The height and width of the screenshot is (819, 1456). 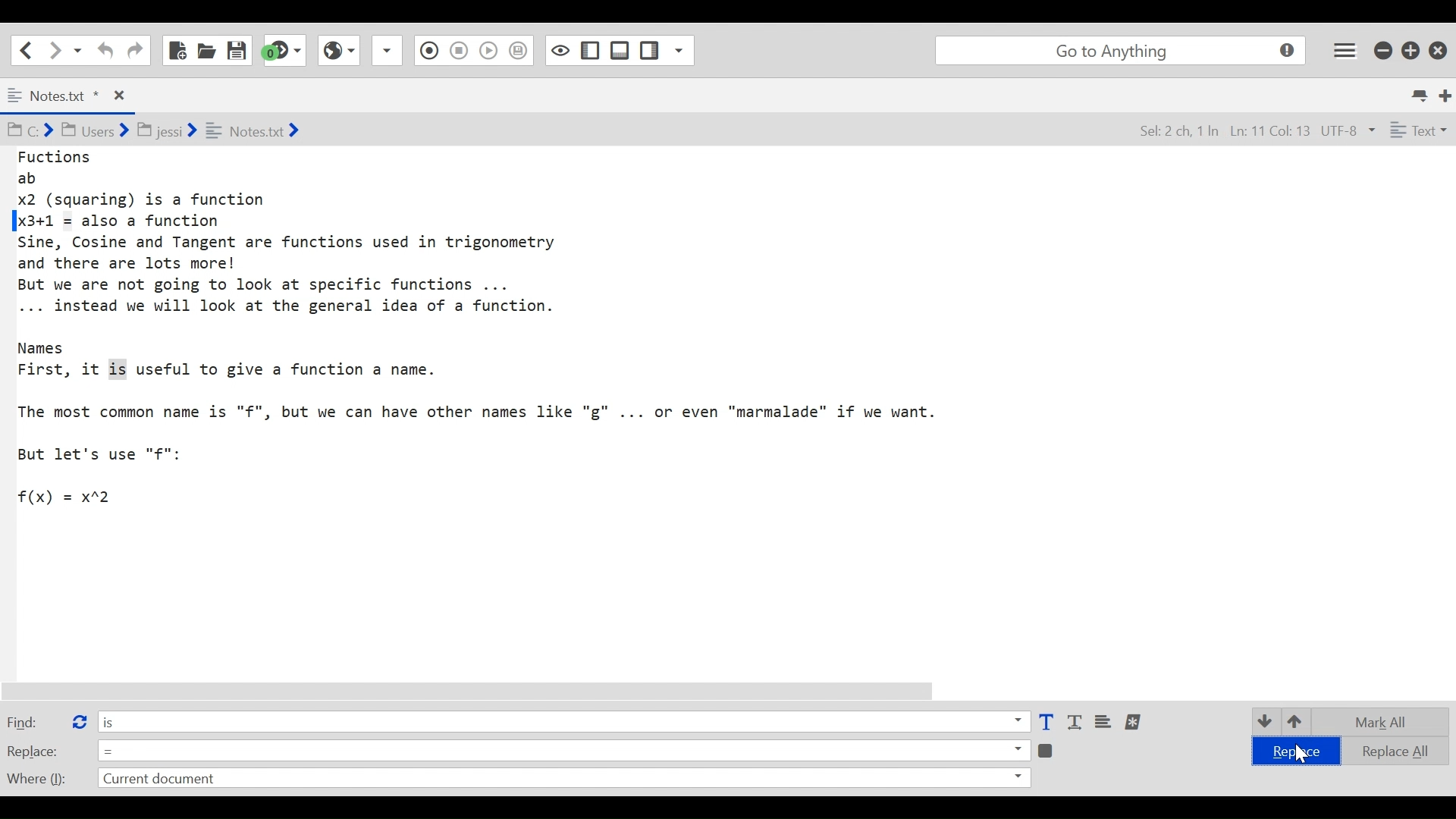 I want to click on Open File, so click(x=206, y=50).